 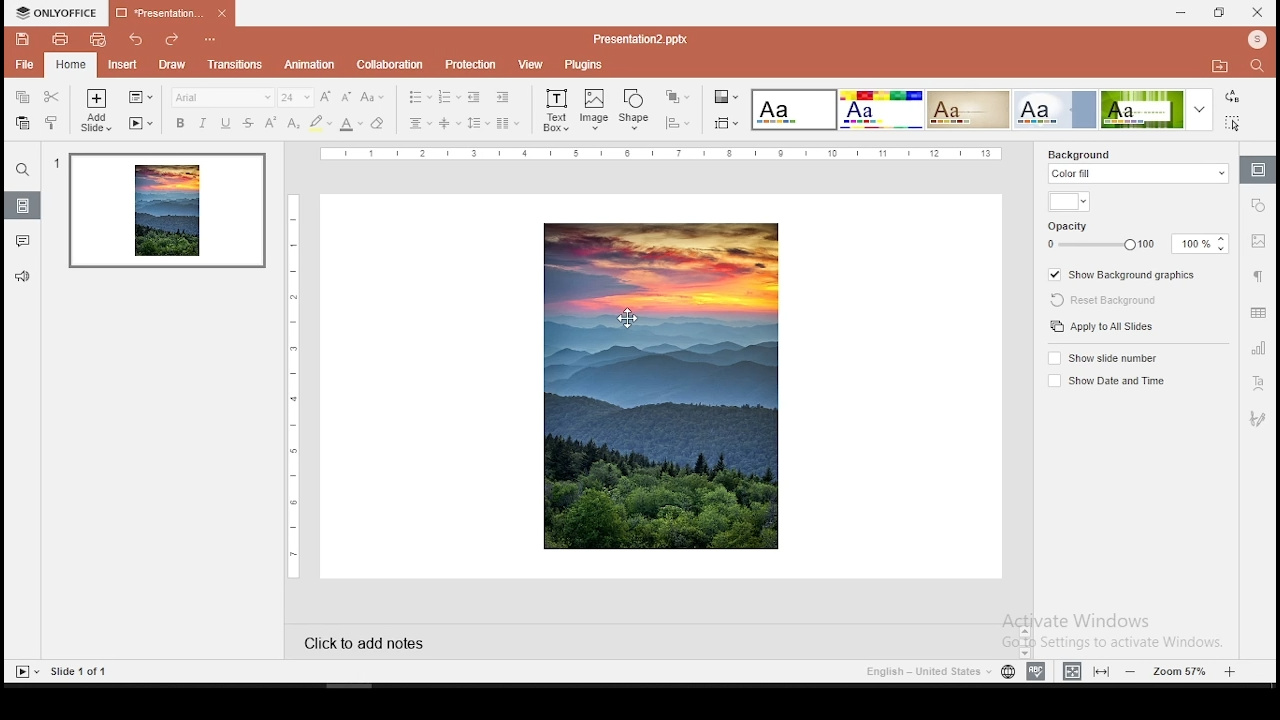 What do you see at coordinates (100, 40) in the screenshot?
I see `quick print` at bounding box center [100, 40].